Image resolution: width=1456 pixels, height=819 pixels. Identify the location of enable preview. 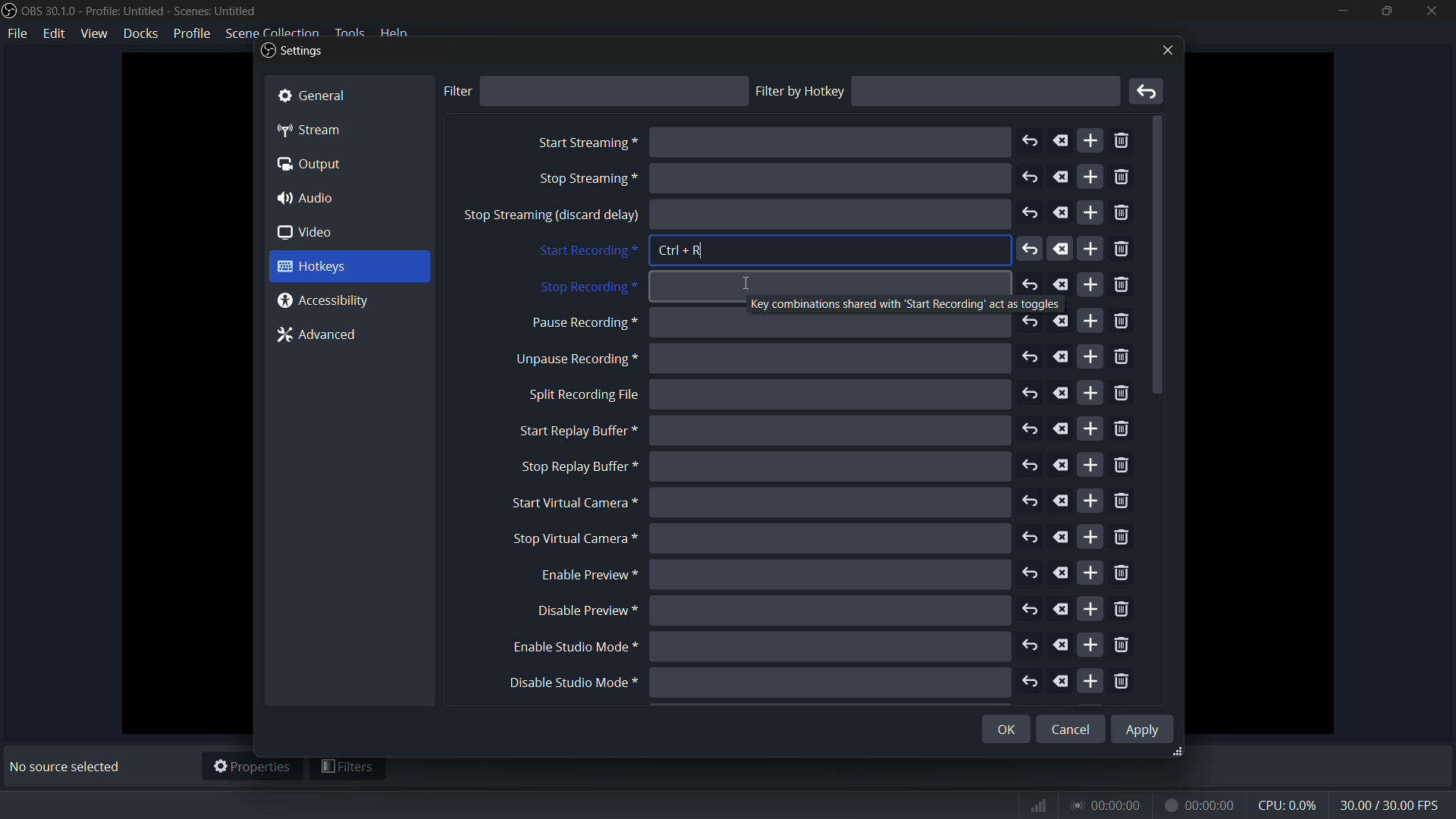
(583, 576).